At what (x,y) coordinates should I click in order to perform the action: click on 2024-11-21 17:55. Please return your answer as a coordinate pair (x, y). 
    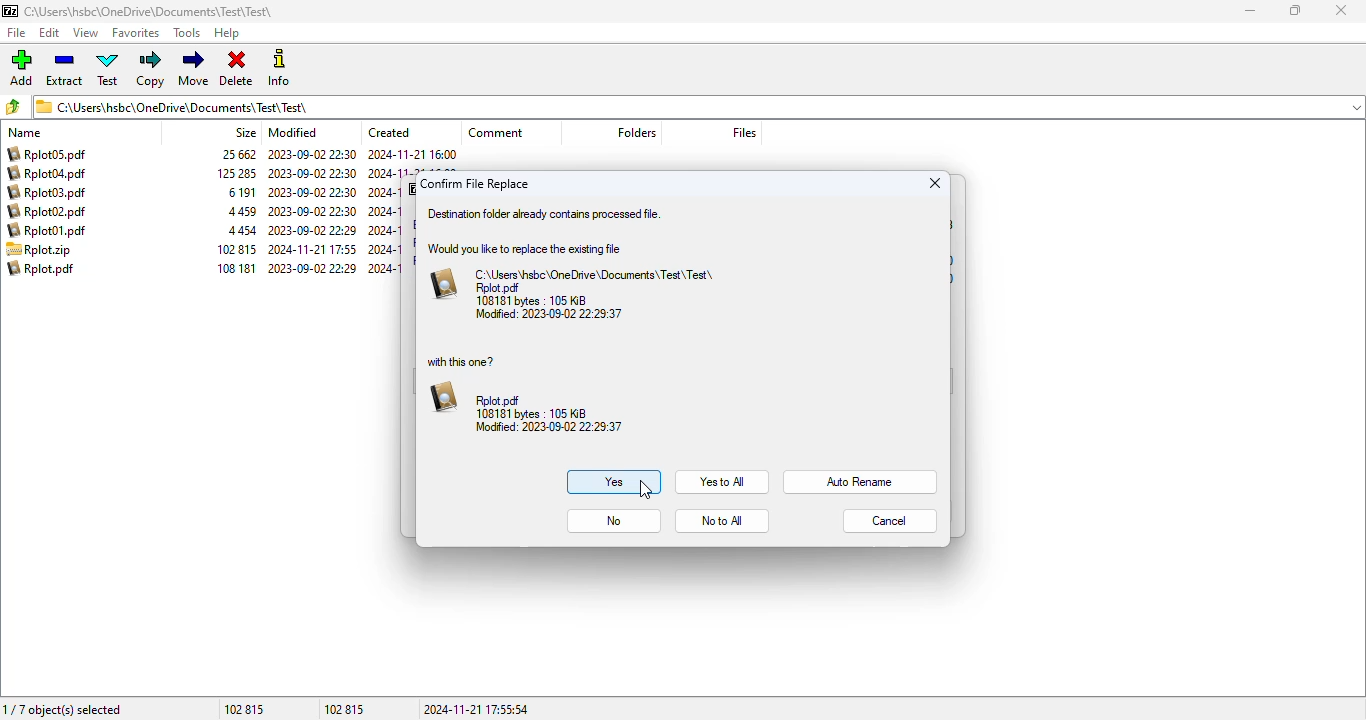
    Looking at the image, I should click on (312, 249).